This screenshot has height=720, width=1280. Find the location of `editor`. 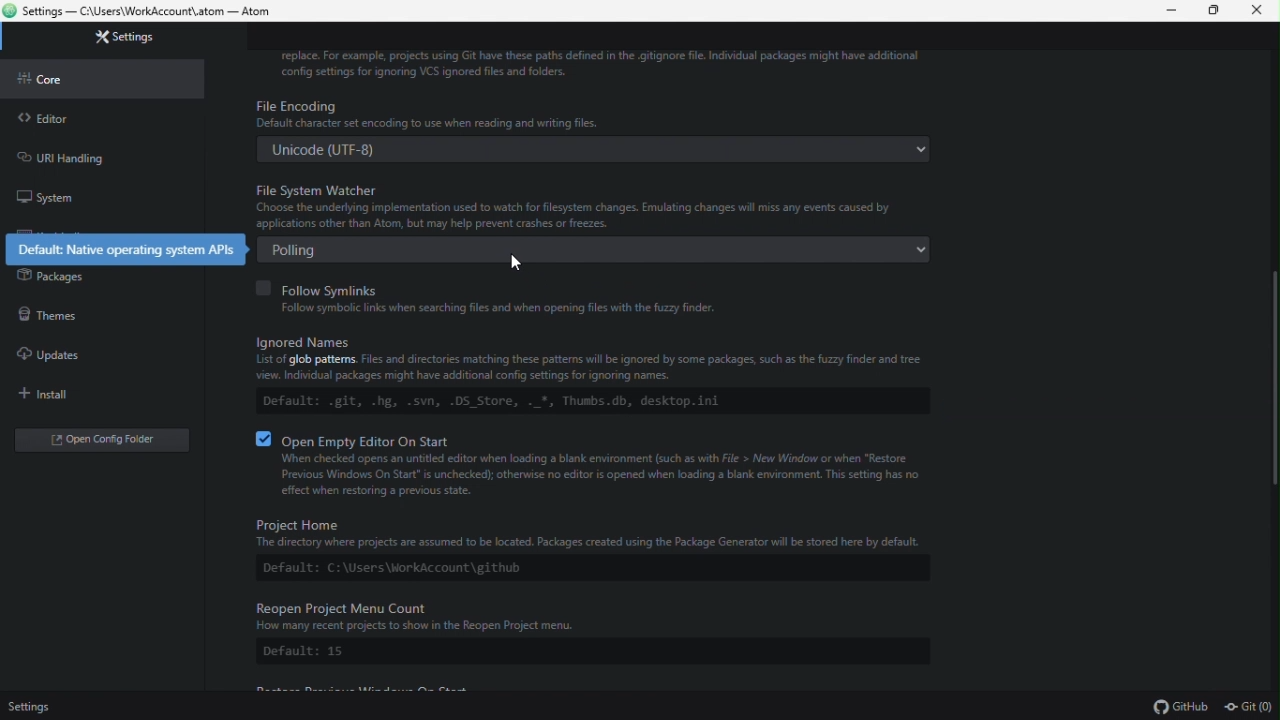

editor is located at coordinates (102, 115).